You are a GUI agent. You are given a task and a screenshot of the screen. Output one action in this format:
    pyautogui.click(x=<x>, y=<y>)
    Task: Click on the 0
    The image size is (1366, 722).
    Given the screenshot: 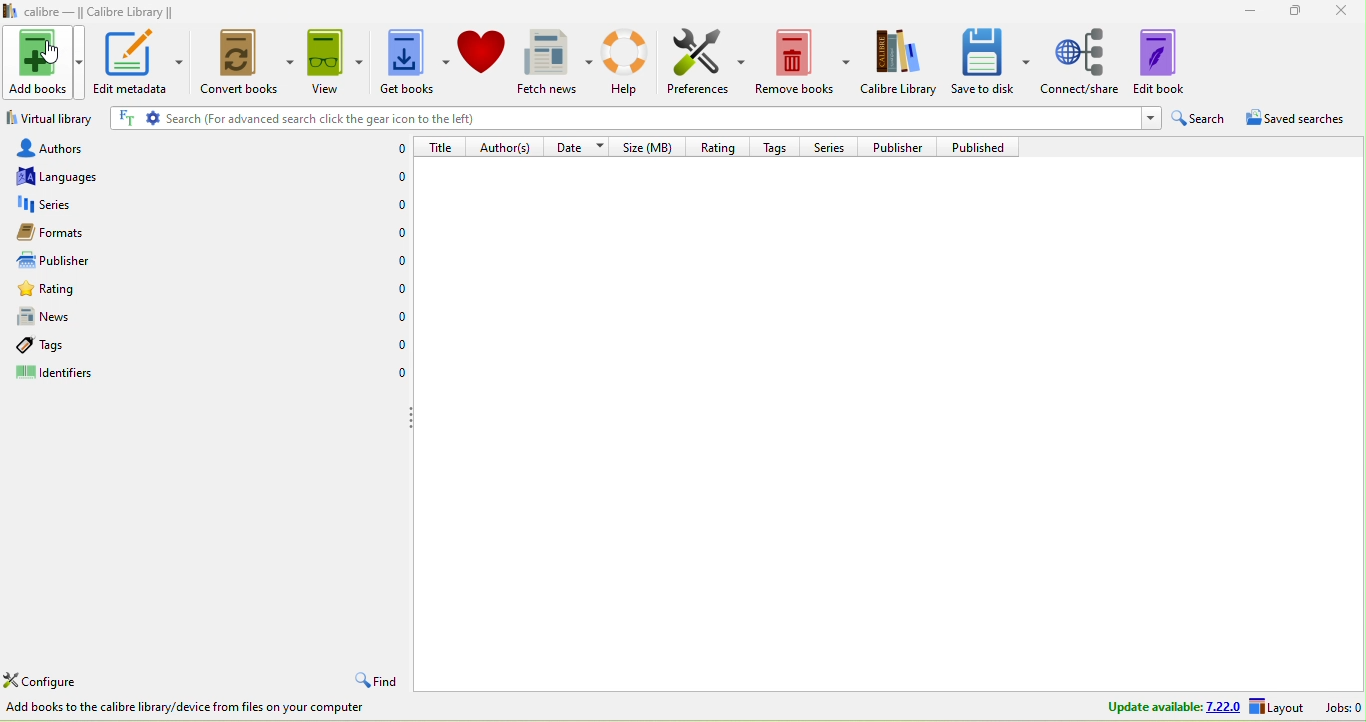 What is the action you would take?
    pyautogui.click(x=402, y=257)
    